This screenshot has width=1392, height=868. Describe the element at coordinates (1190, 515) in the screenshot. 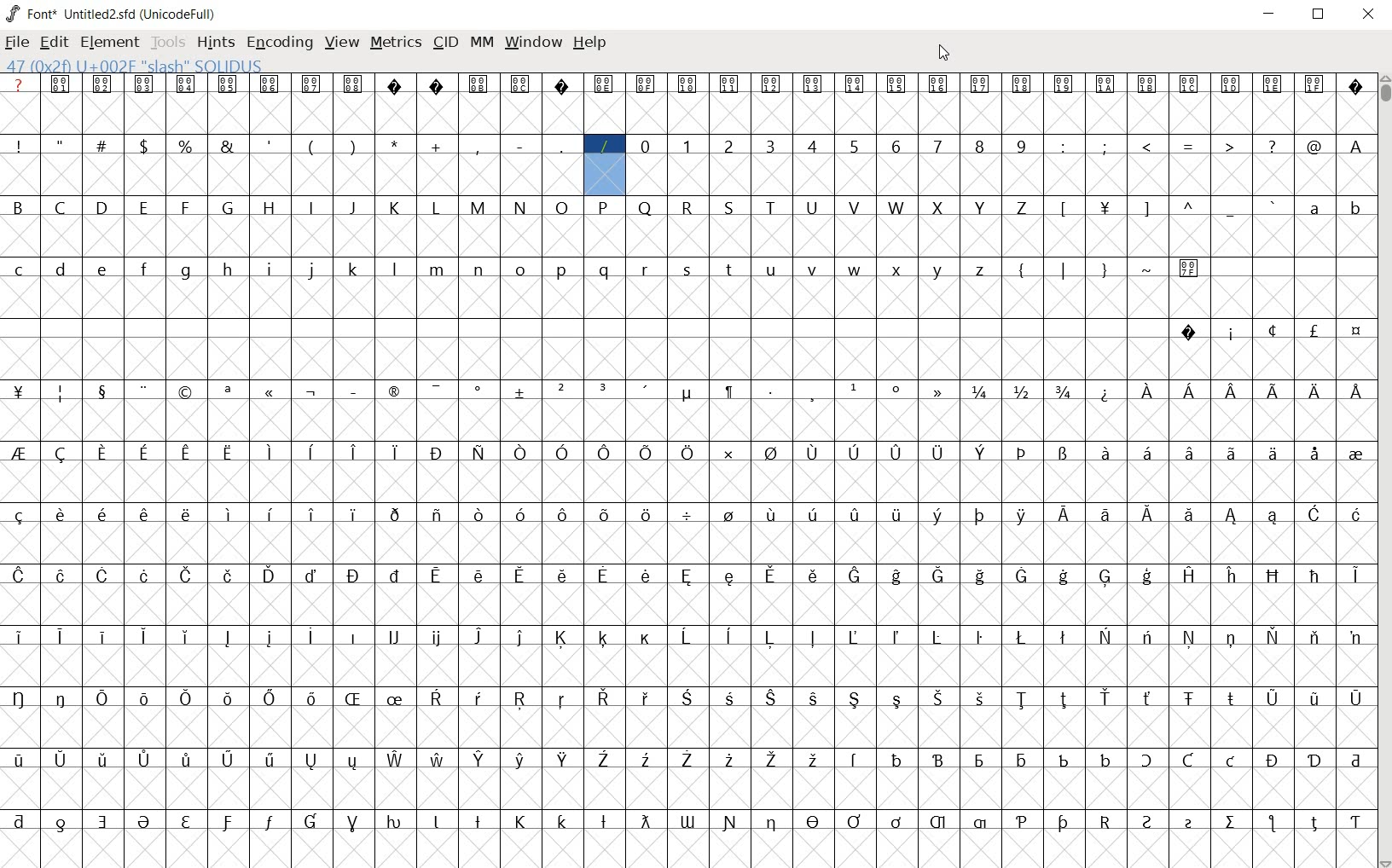

I see `glyph` at that location.